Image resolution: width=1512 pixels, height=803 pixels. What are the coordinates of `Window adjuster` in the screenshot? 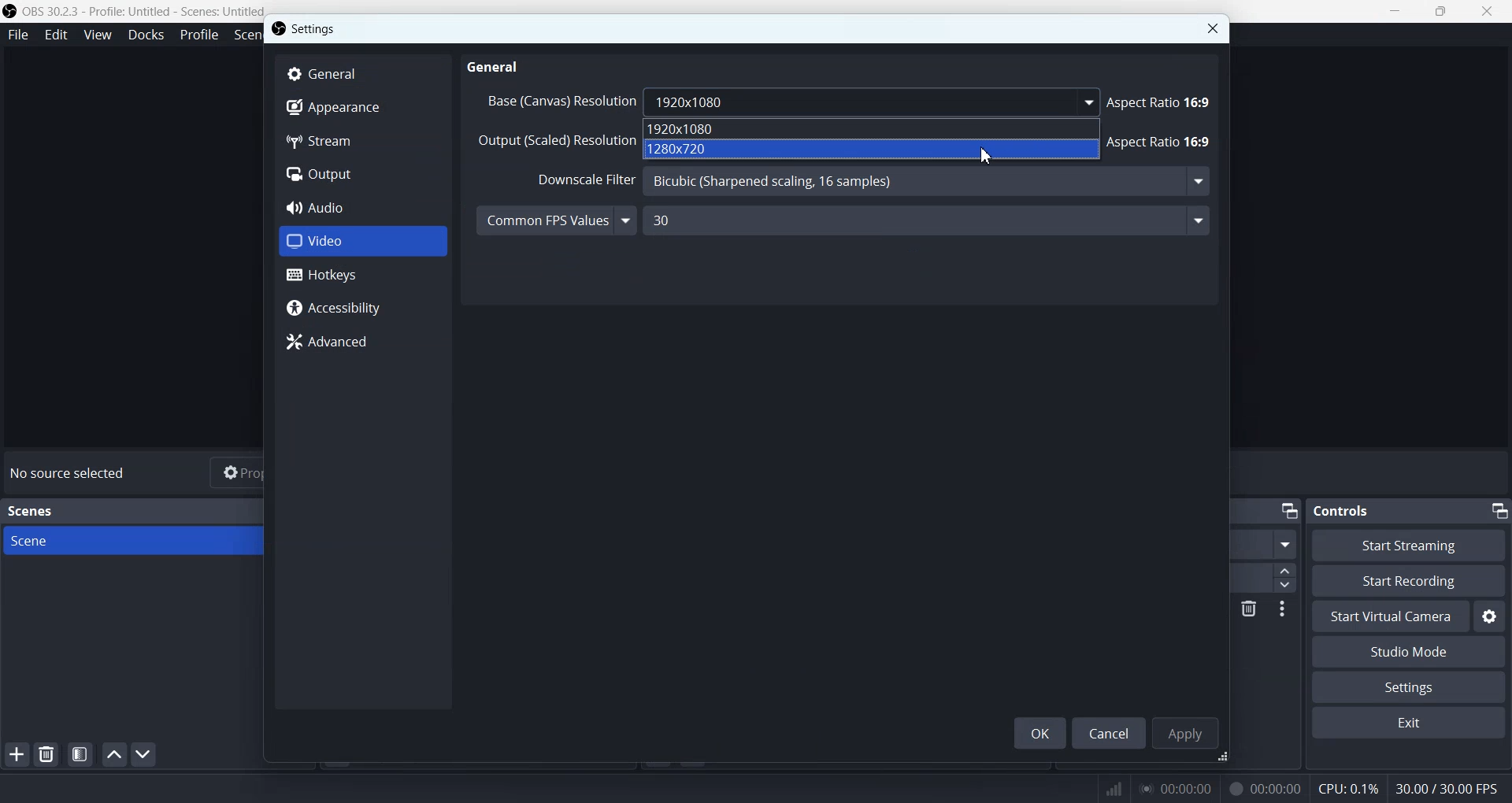 It's located at (1226, 757).